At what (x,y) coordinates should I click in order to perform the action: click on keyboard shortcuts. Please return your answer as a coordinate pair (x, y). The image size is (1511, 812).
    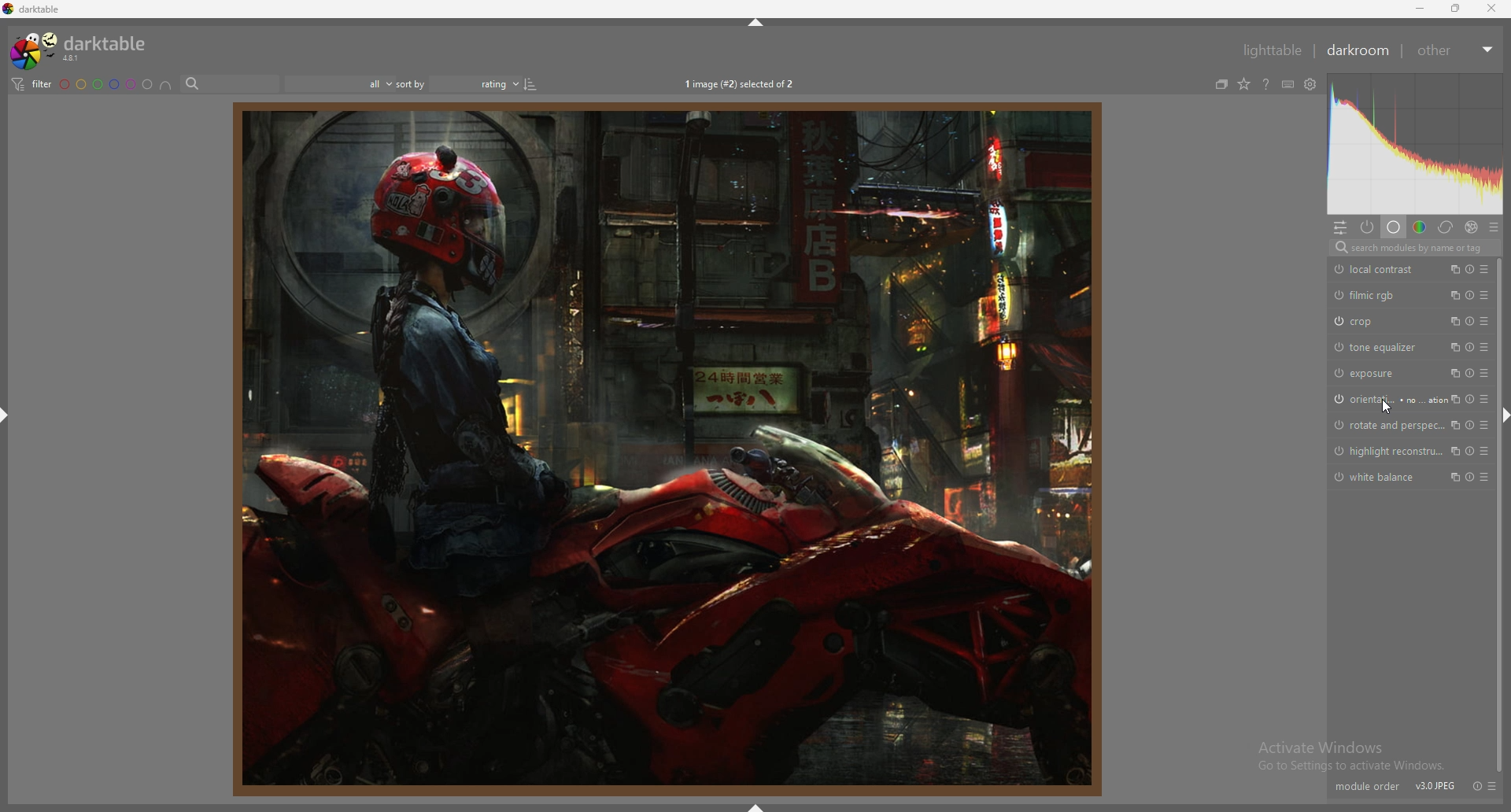
    Looking at the image, I should click on (1288, 84).